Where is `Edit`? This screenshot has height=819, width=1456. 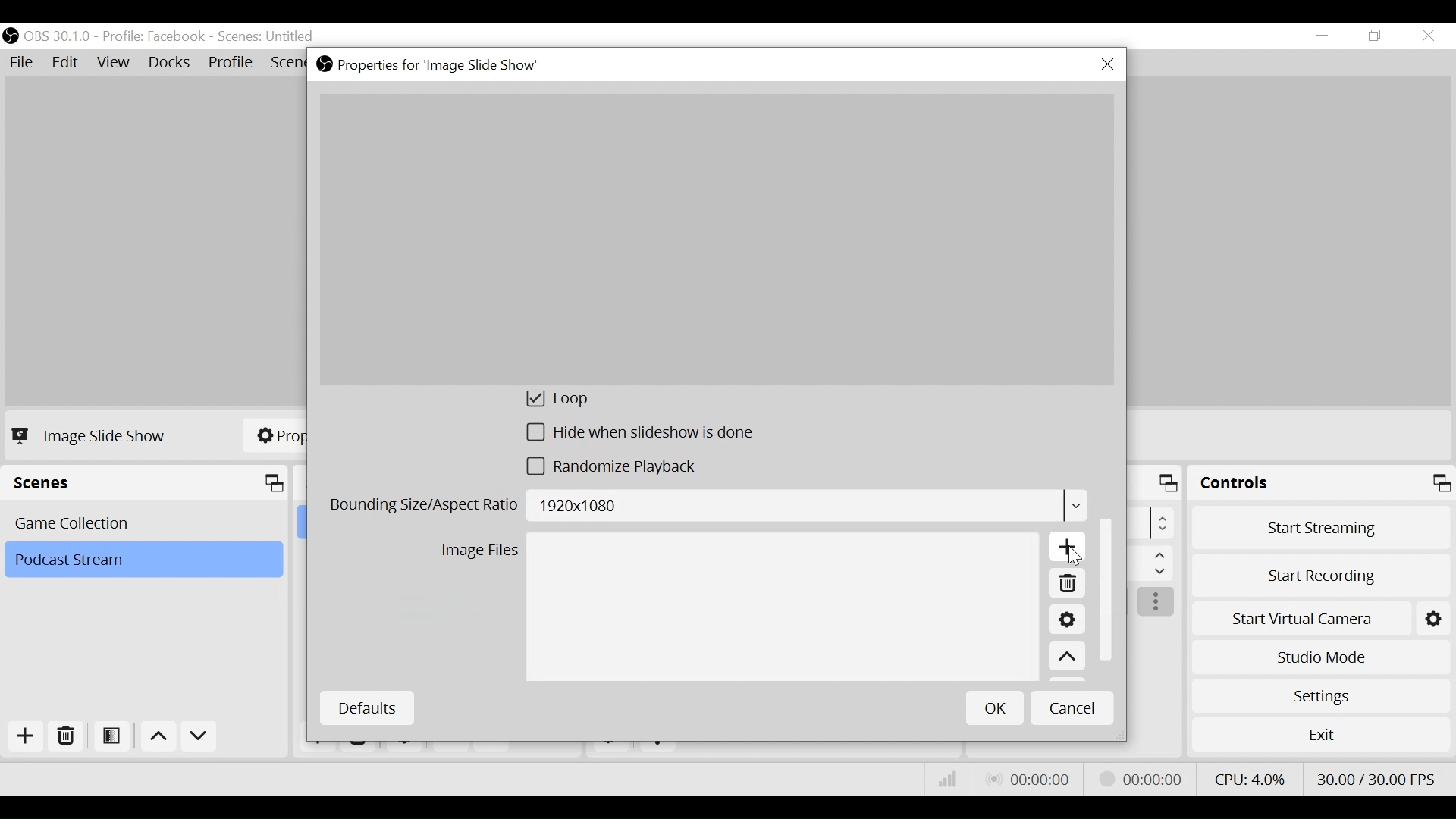
Edit is located at coordinates (67, 63).